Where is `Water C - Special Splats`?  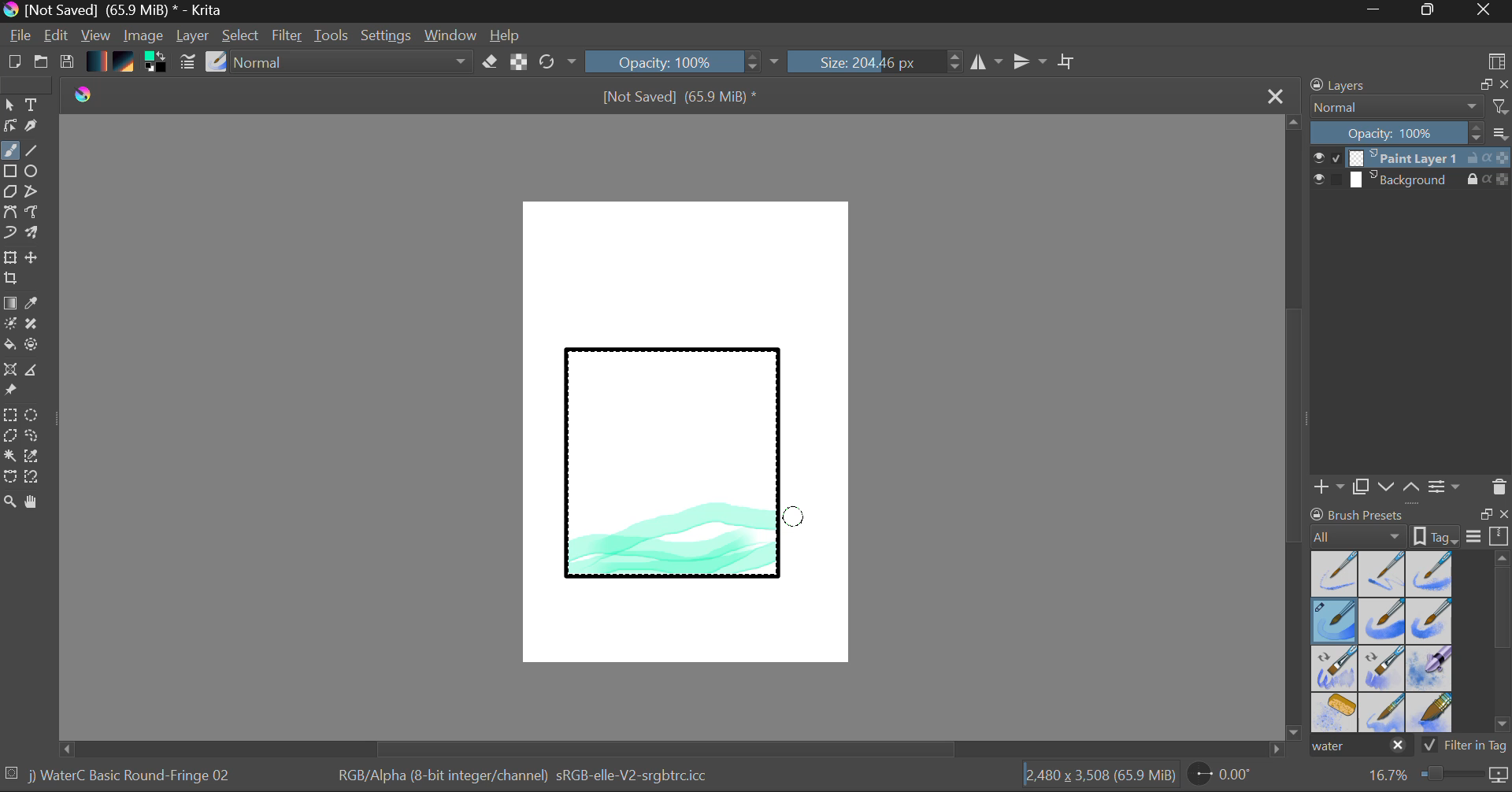 Water C - Special Splats is located at coordinates (1336, 712).